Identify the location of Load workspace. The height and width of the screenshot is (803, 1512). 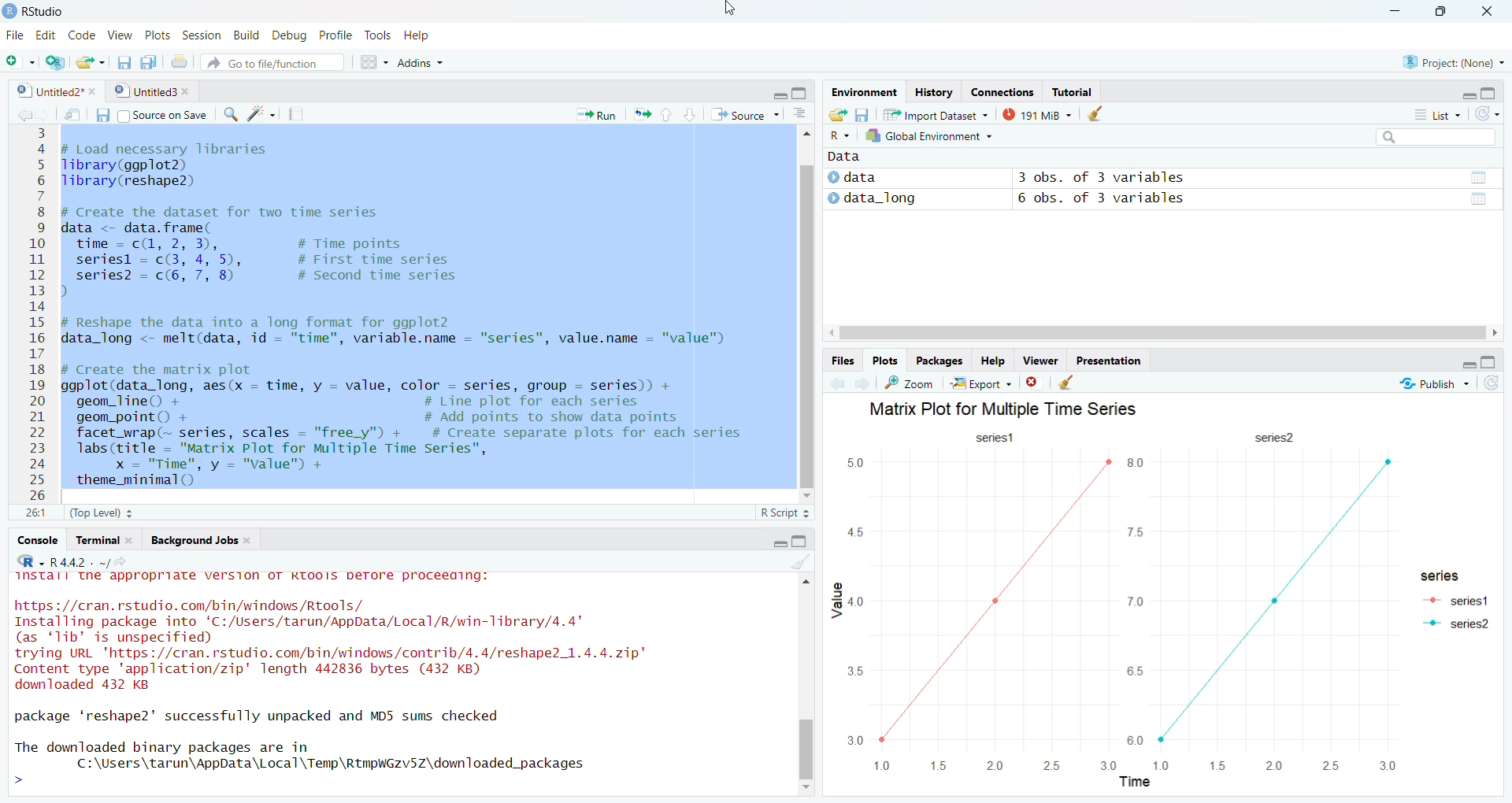
(838, 113).